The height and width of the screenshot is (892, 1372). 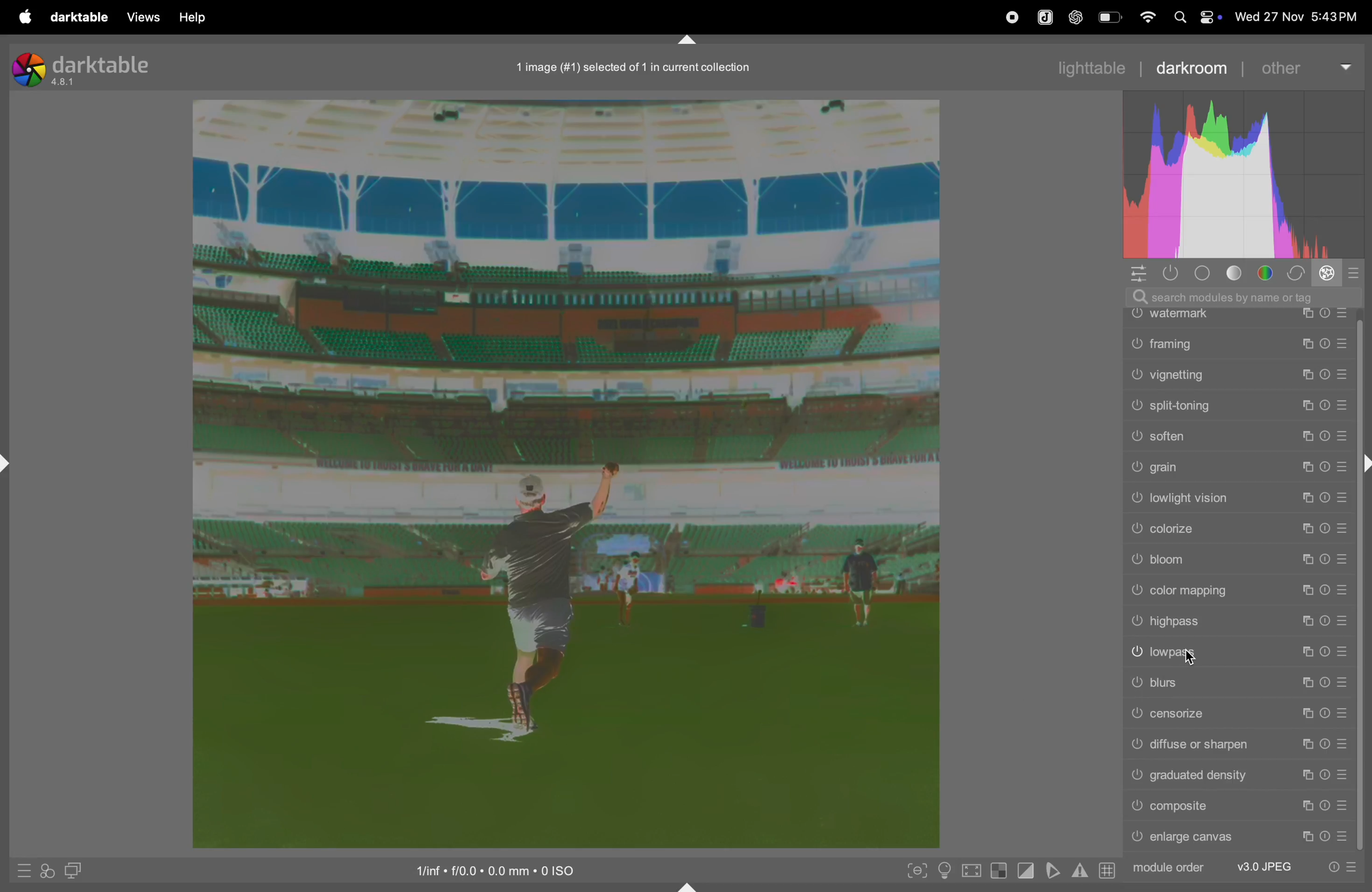 I want to click on help, so click(x=191, y=18).